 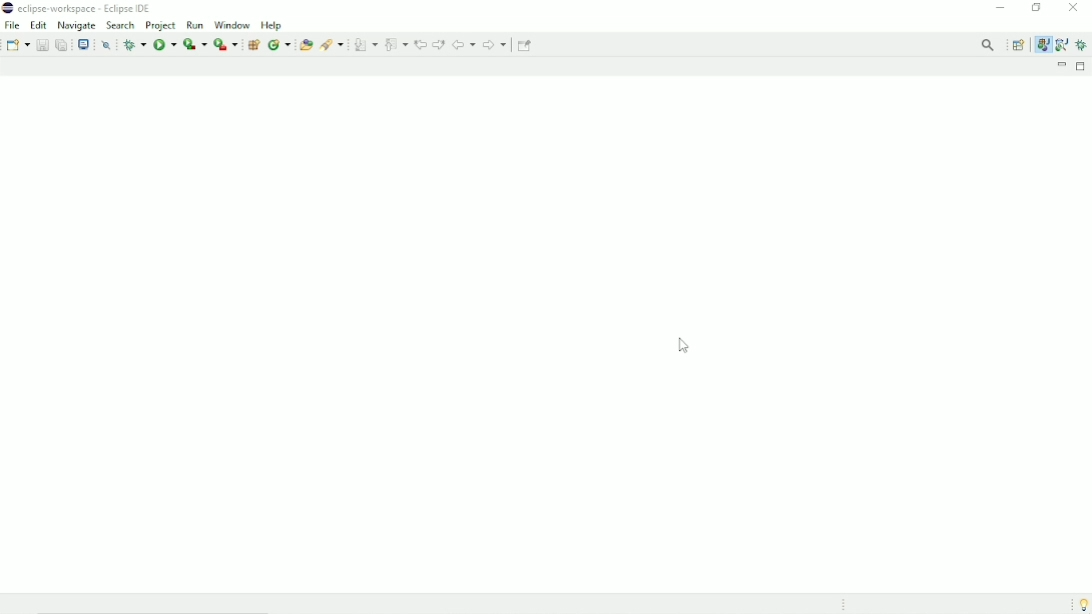 I want to click on logo, so click(x=7, y=7).